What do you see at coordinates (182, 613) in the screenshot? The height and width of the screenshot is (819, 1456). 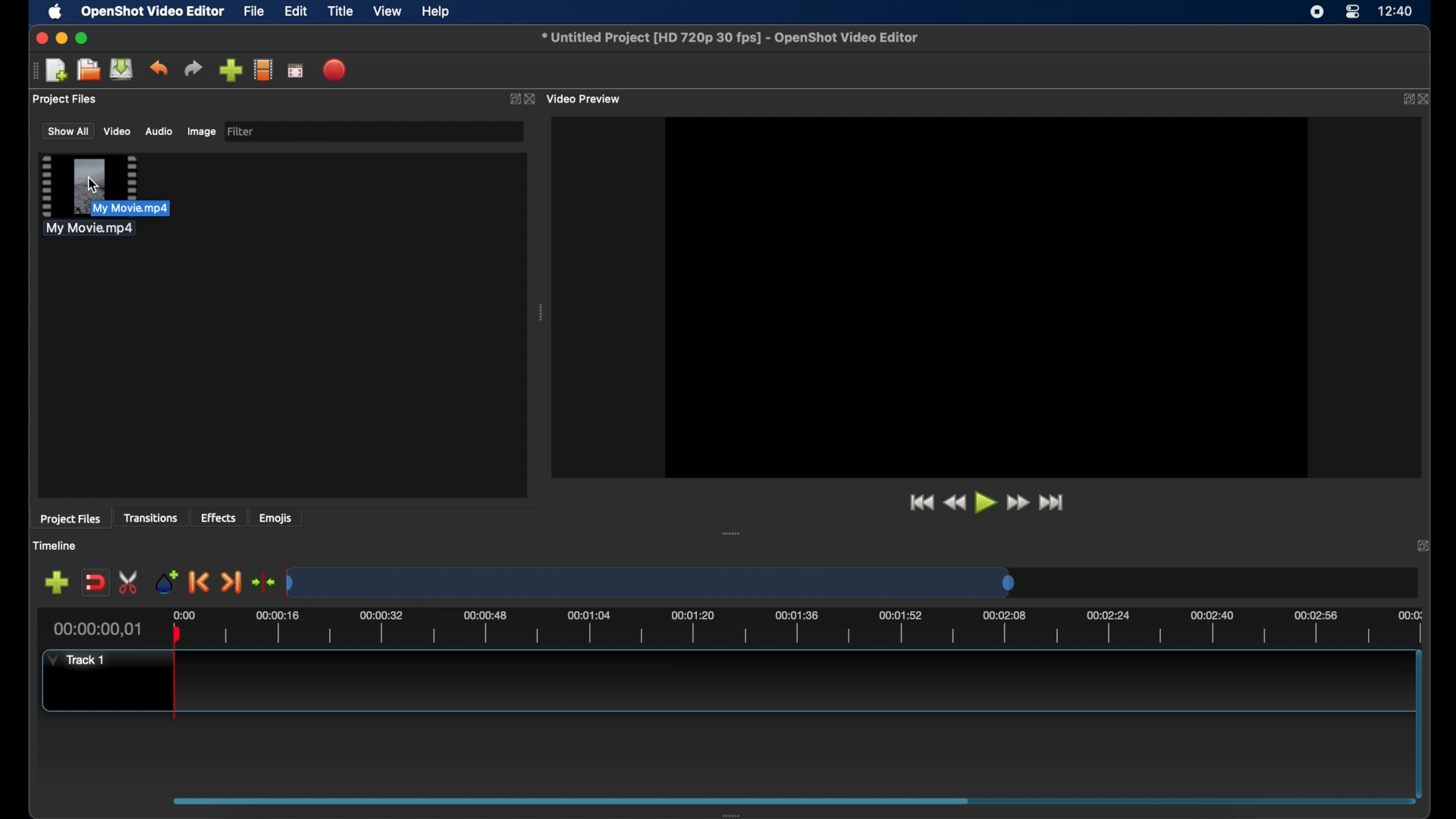 I see `0.00` at bounding box center [182, 613].